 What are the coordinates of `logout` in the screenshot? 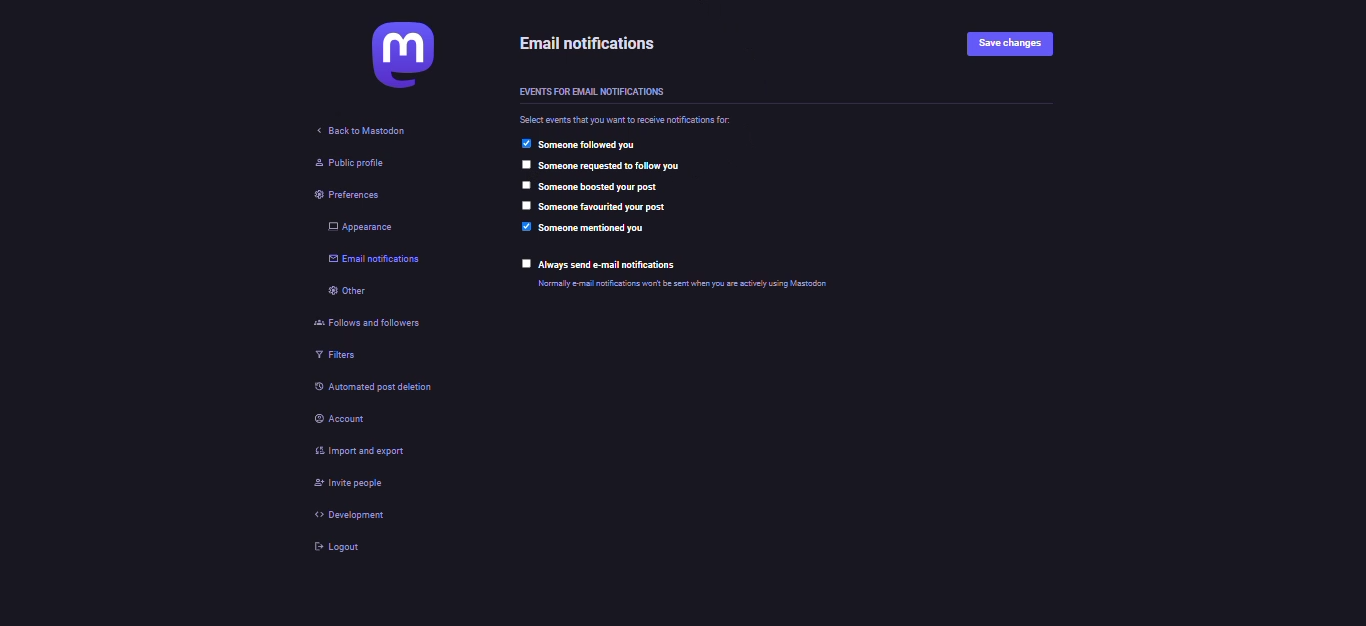 It's located at (327, 548).